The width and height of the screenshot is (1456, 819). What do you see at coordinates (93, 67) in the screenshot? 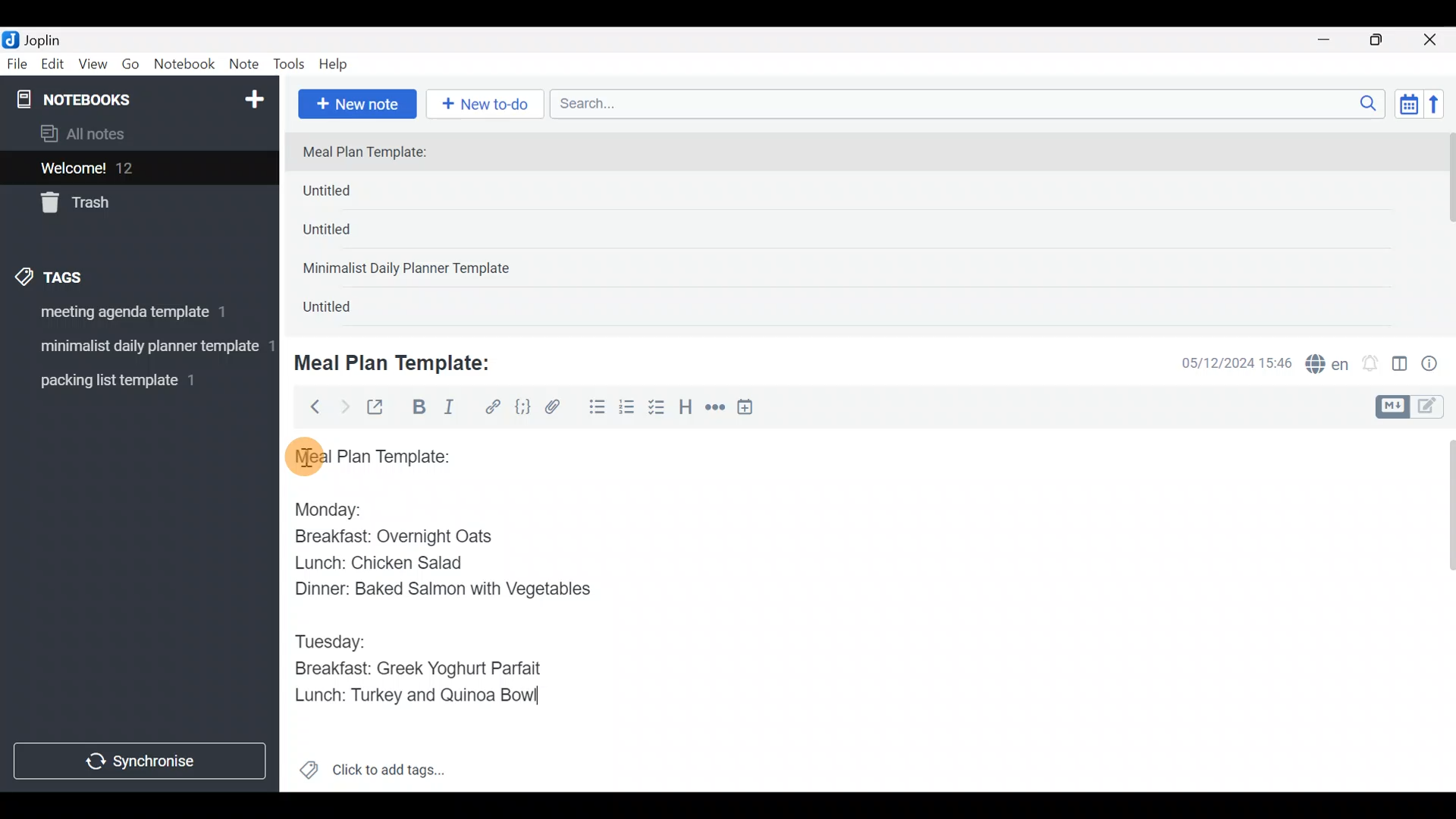
I see `View` at bounding box center [93, 67].